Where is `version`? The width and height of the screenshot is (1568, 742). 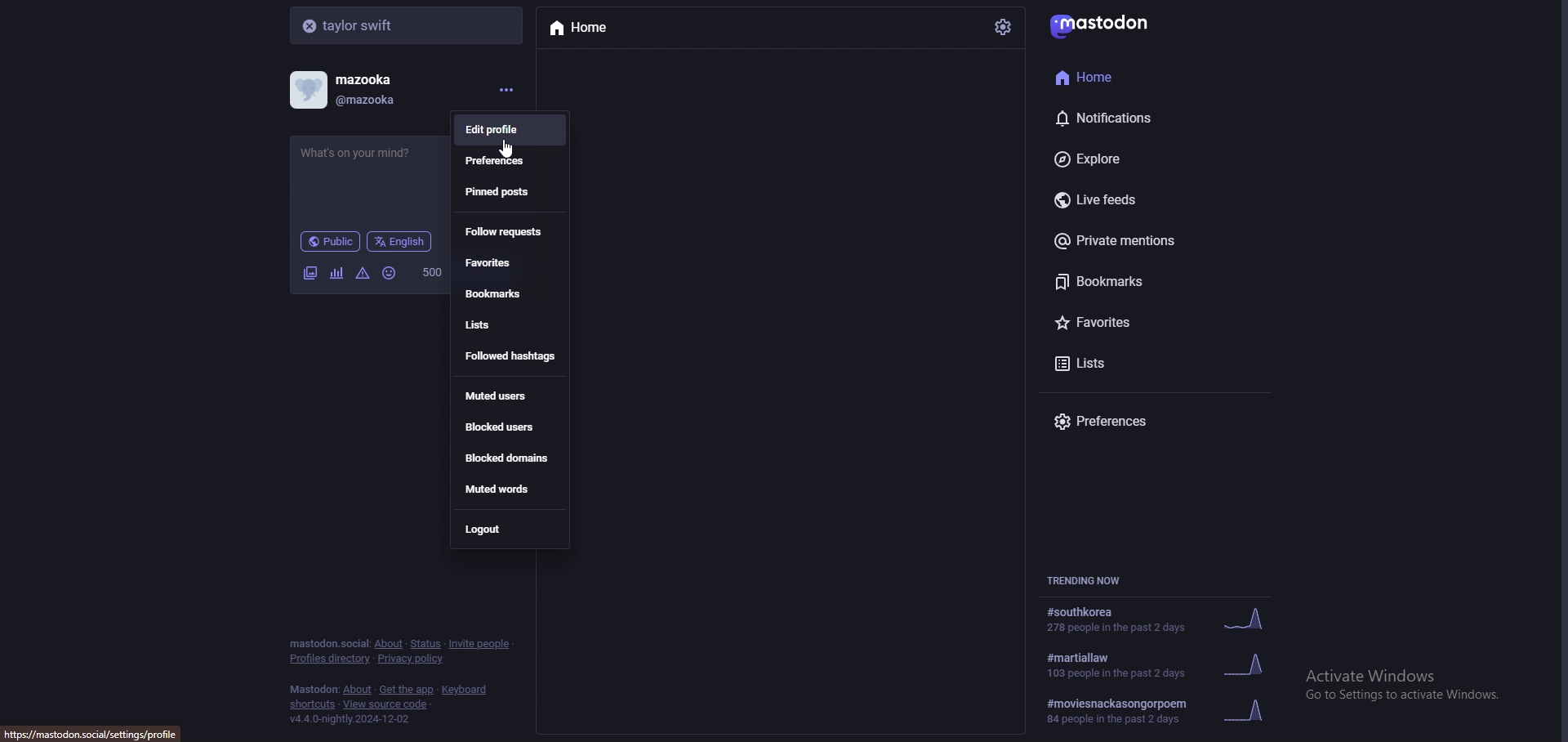
version is located at coordinates (351, 718).